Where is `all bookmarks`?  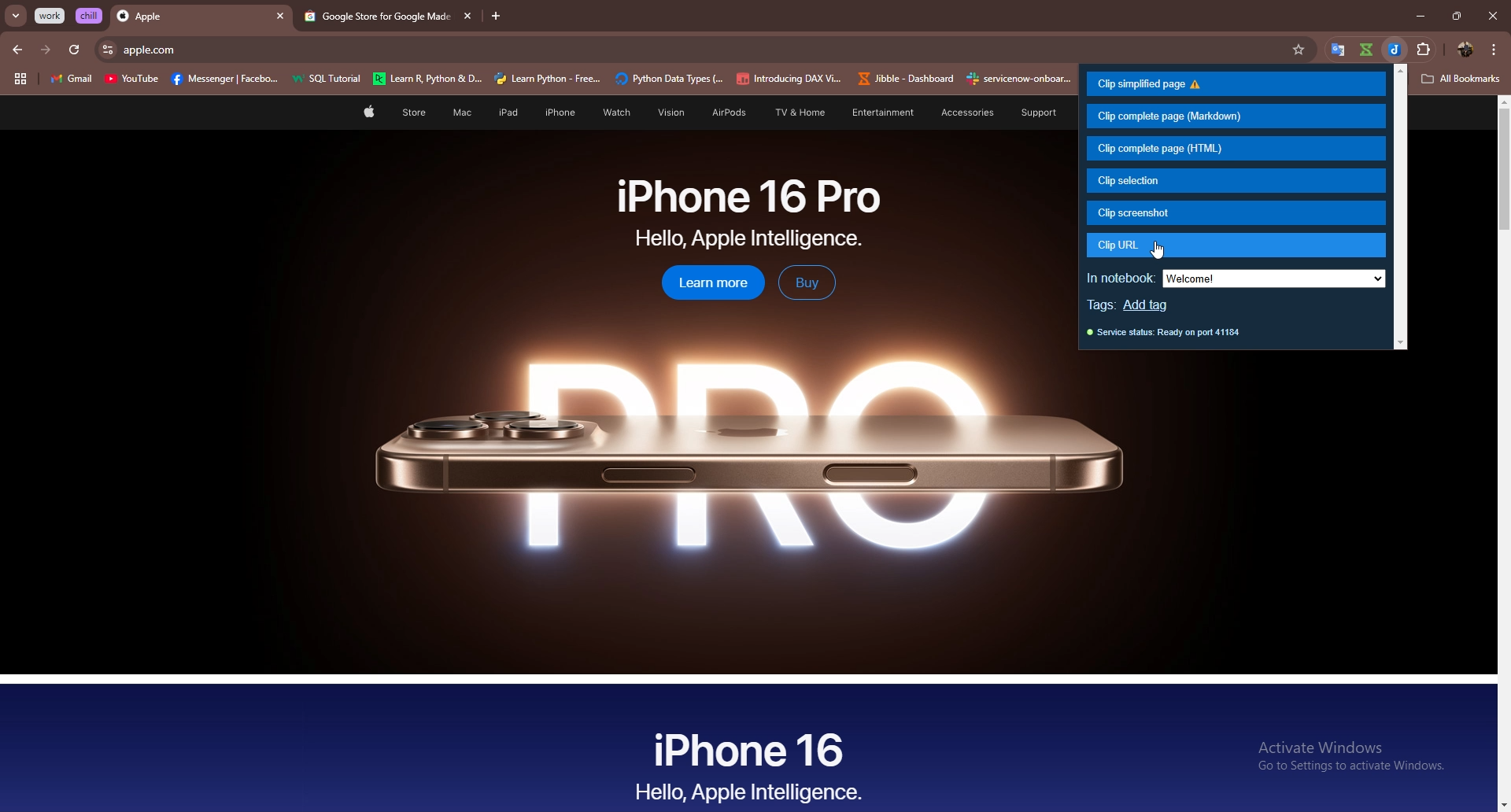 all bookmarks is located at coordinates (1461, 79).